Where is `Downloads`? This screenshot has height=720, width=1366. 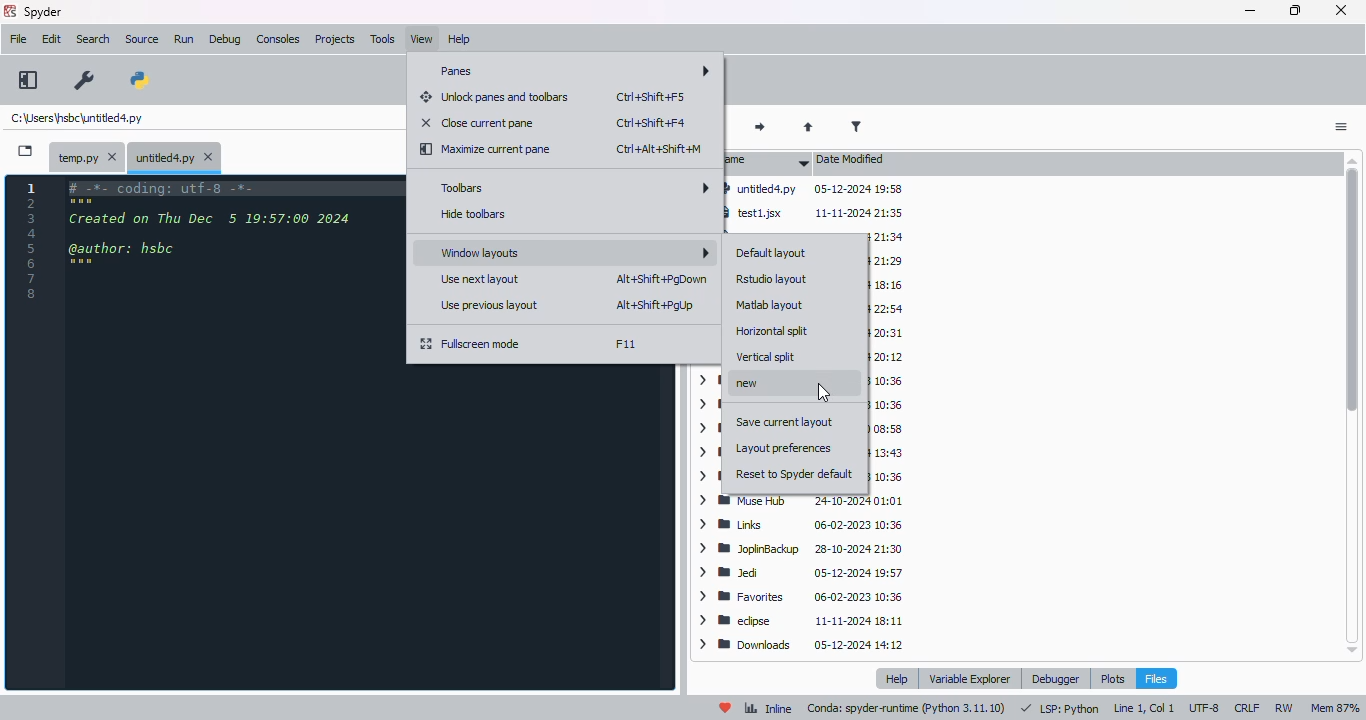 Downloads is located at coordinates (800, 644).